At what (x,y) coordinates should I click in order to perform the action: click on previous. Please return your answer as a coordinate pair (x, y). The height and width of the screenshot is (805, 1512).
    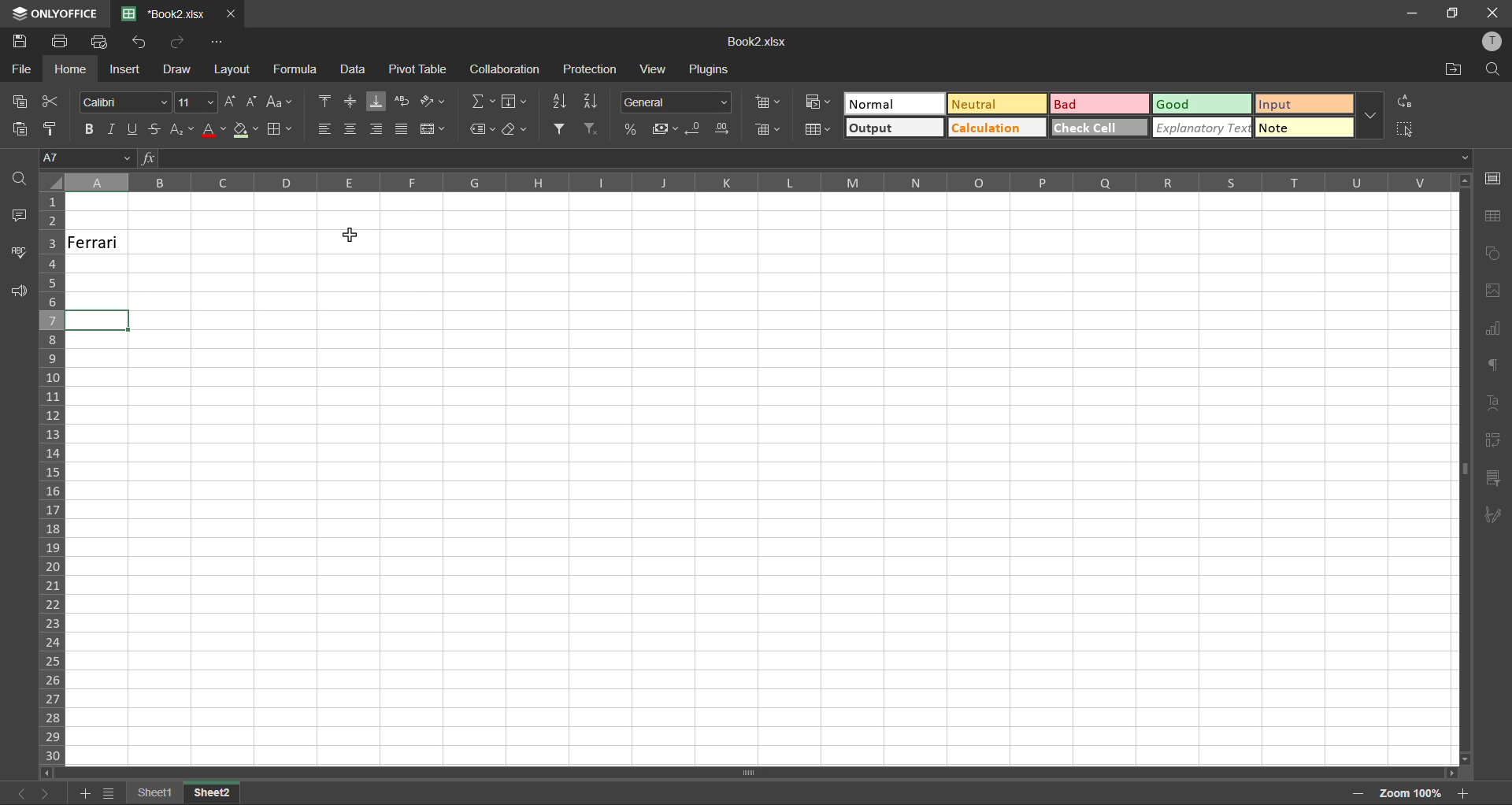
    Looking at the image, I should click on (17, 795).